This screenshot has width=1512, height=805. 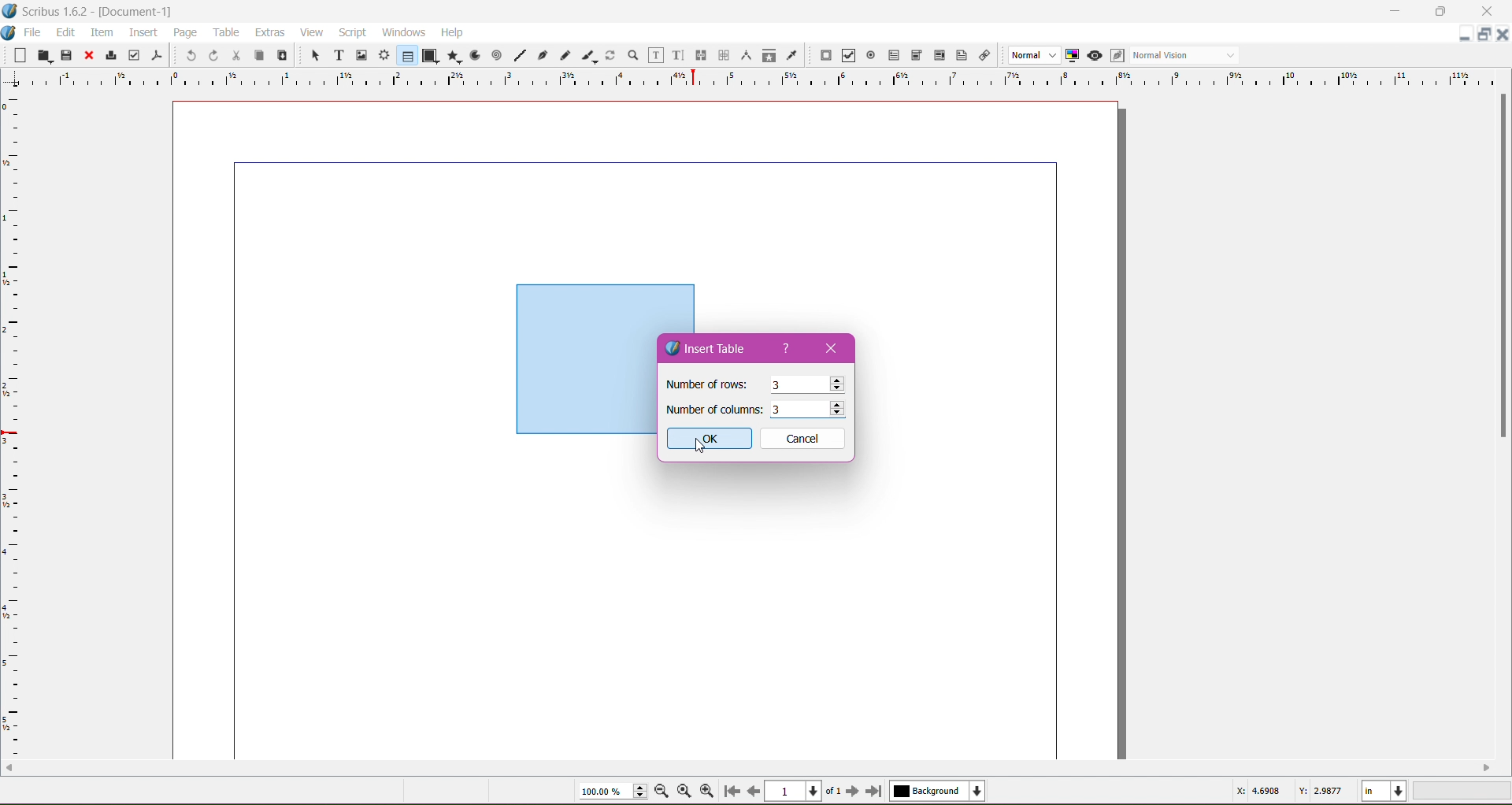 I want to click on Print, so click(x=109, y=57).